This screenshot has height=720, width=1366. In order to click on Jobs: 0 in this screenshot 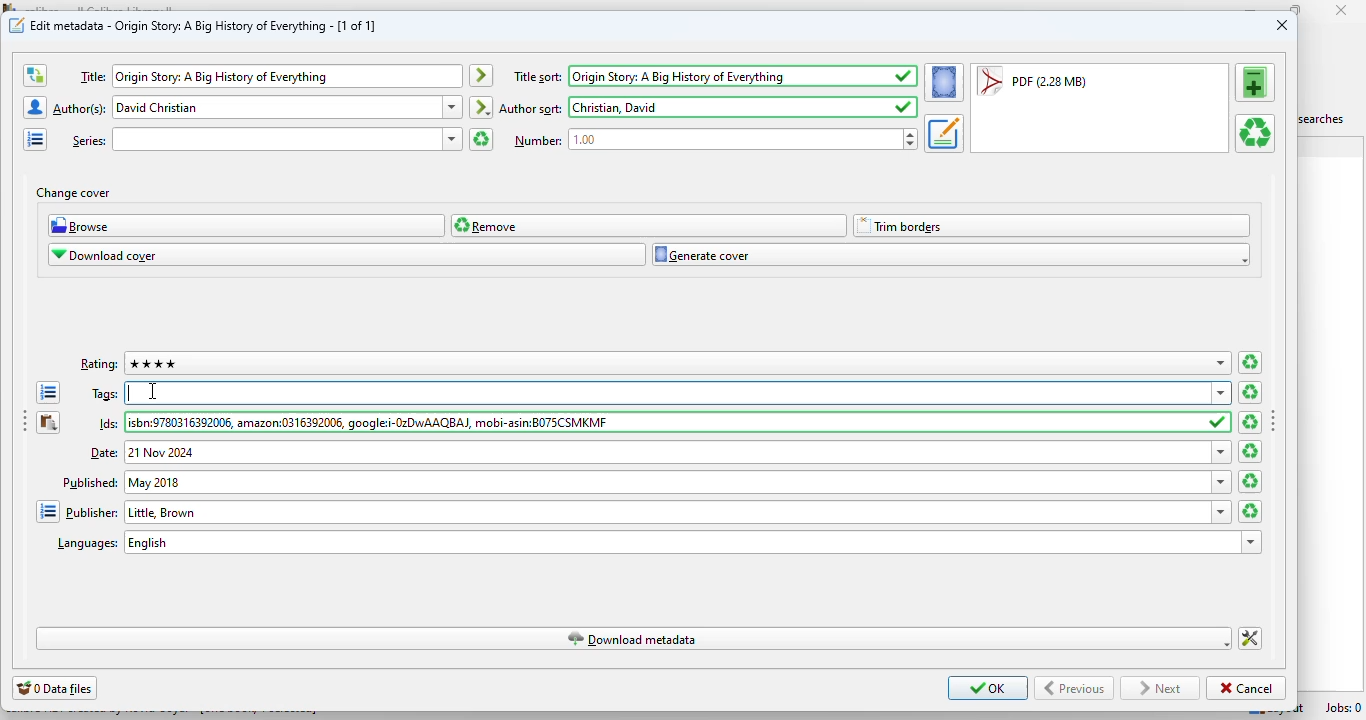, I will do `click(1343, 707)`.